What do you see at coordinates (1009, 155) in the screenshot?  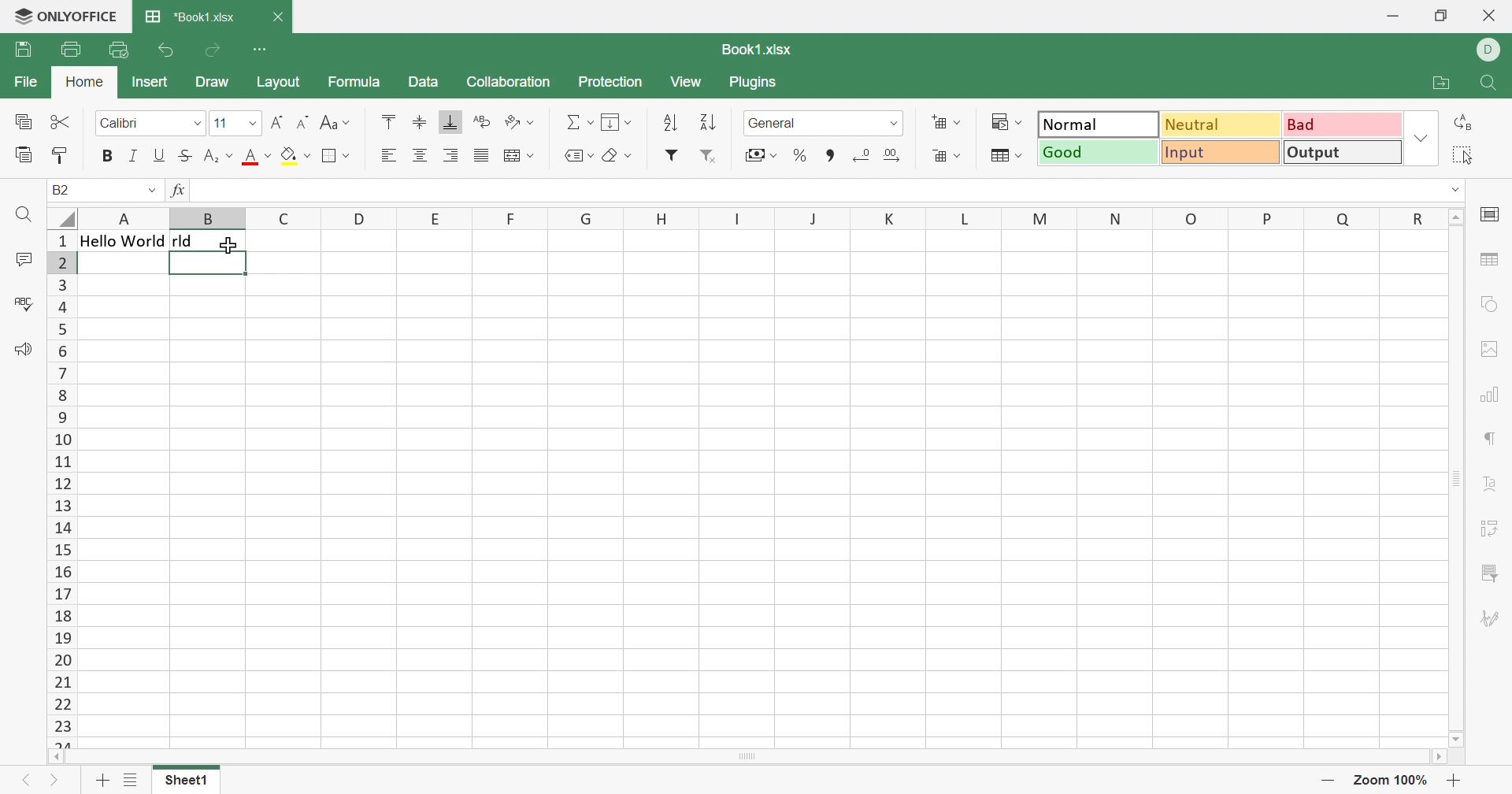 I see `Format as table template` at bounding box center [1009, 155].